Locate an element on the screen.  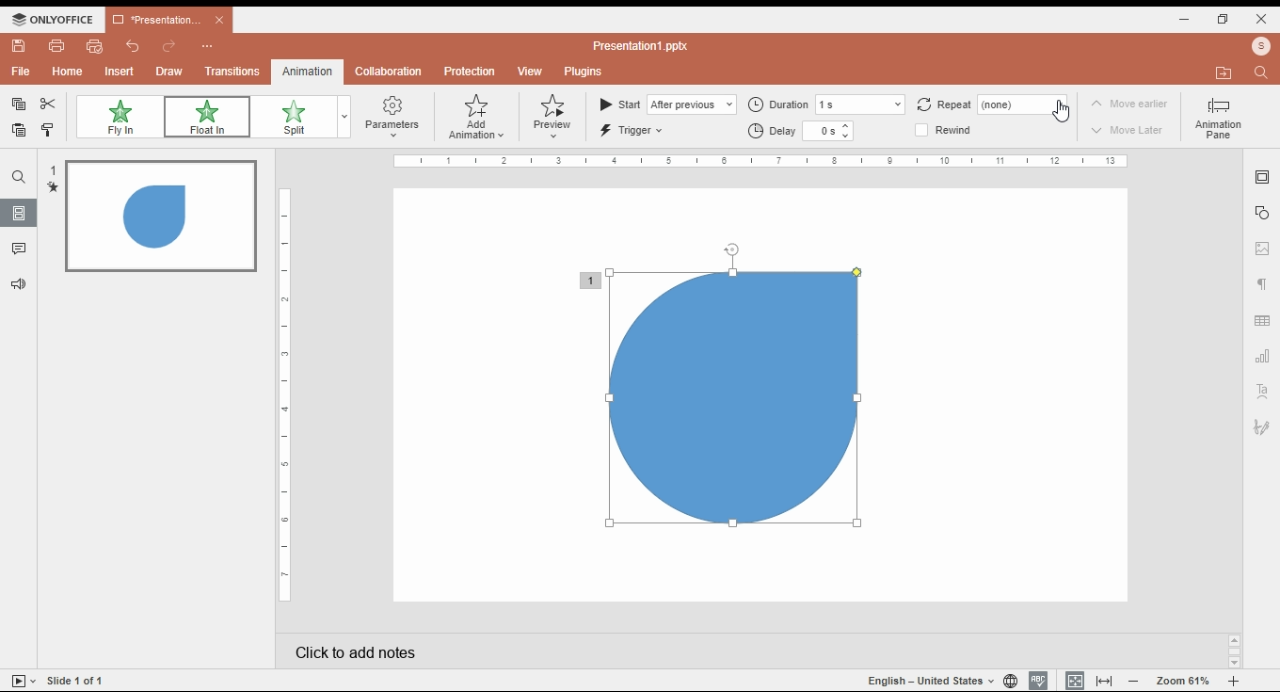
paragraph settings is located at coordinates (1263, 283).